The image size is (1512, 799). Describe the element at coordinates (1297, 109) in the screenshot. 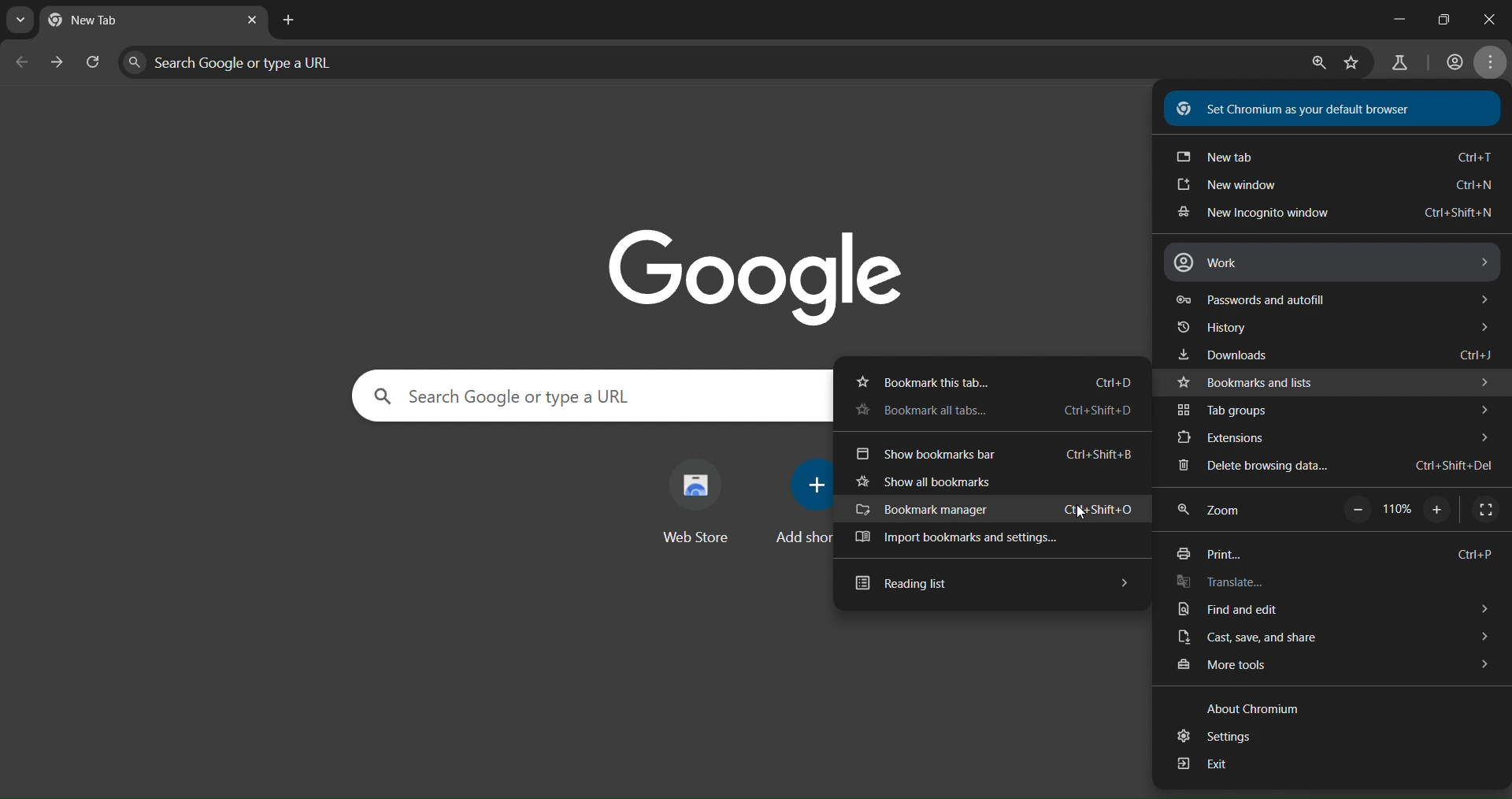

I see `Set Chromium as your default browser` at that location.